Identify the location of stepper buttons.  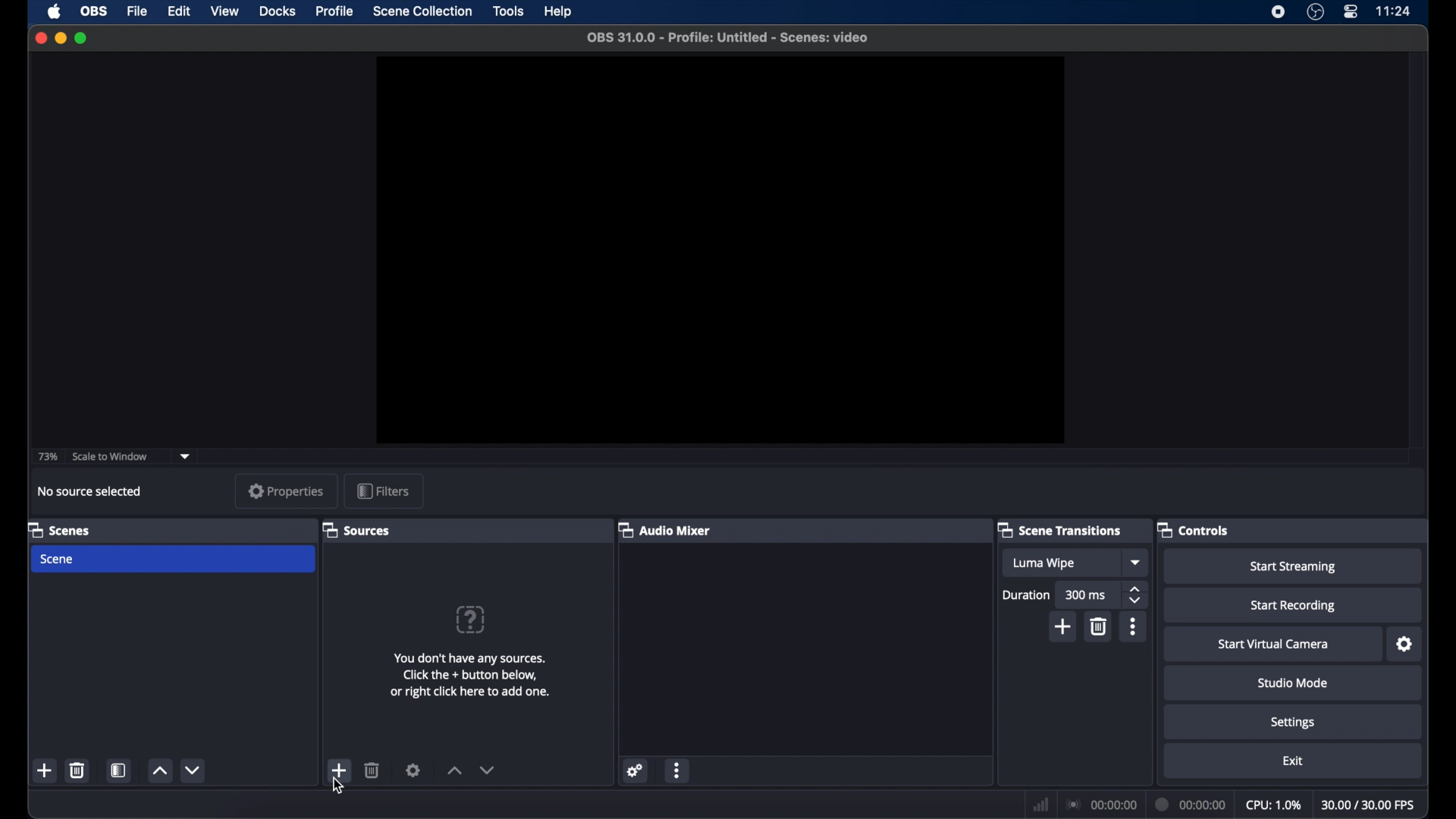
(1136, 595).